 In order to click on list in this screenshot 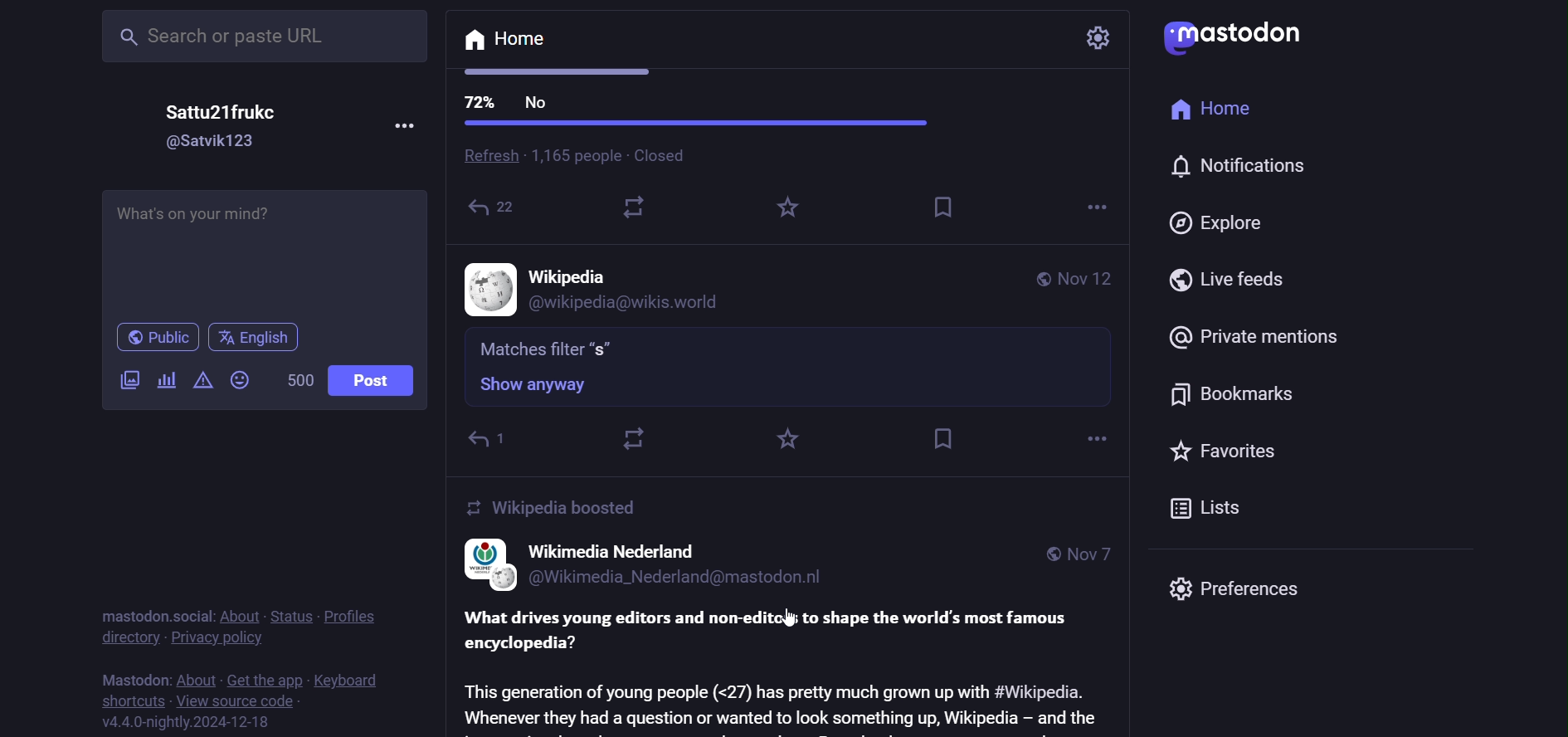, I will do `click(1211, 509)`.